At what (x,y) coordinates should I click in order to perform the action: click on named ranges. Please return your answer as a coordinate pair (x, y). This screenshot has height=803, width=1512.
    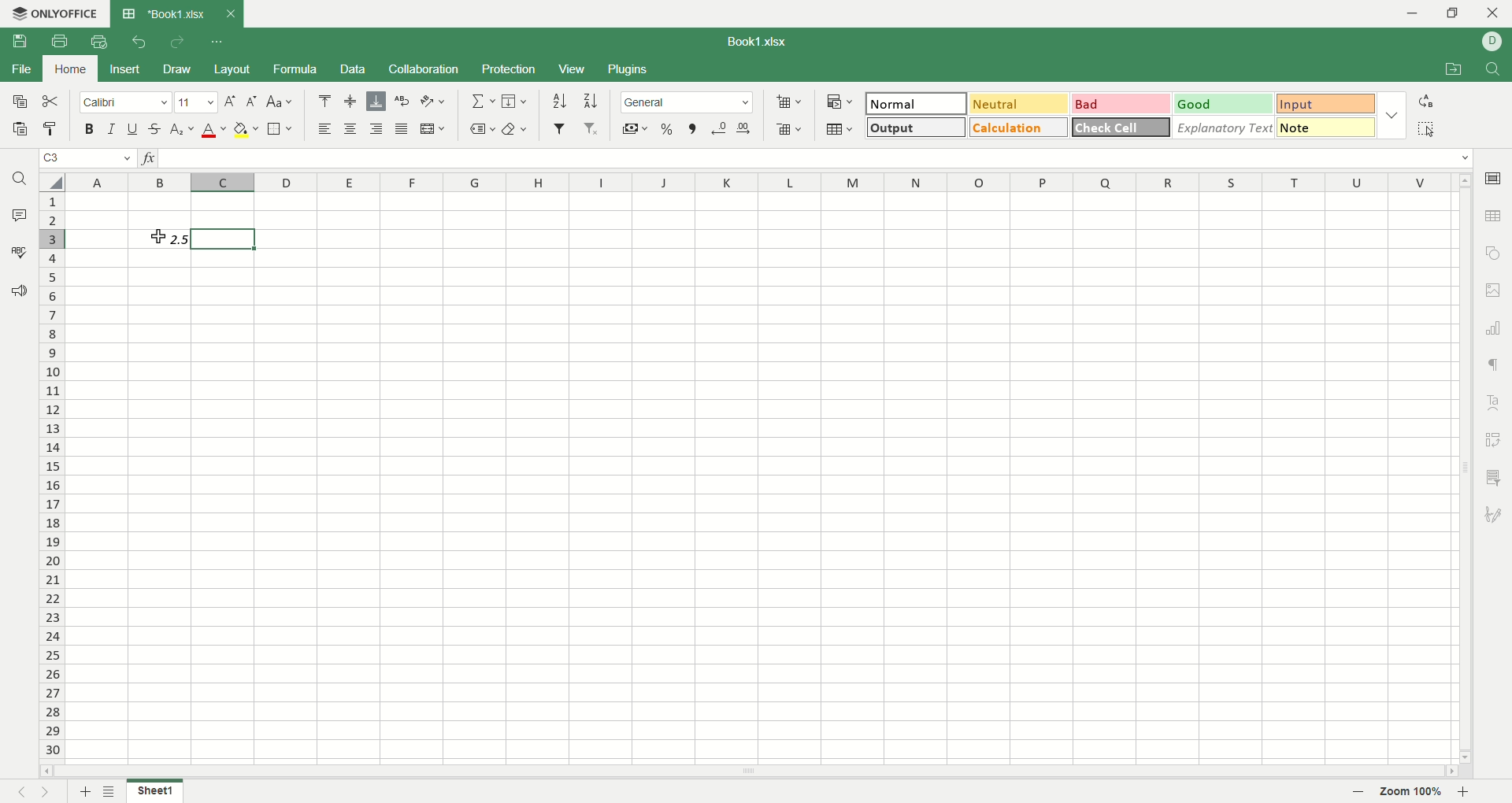
    Looking at the image, I should click on (480, 129).